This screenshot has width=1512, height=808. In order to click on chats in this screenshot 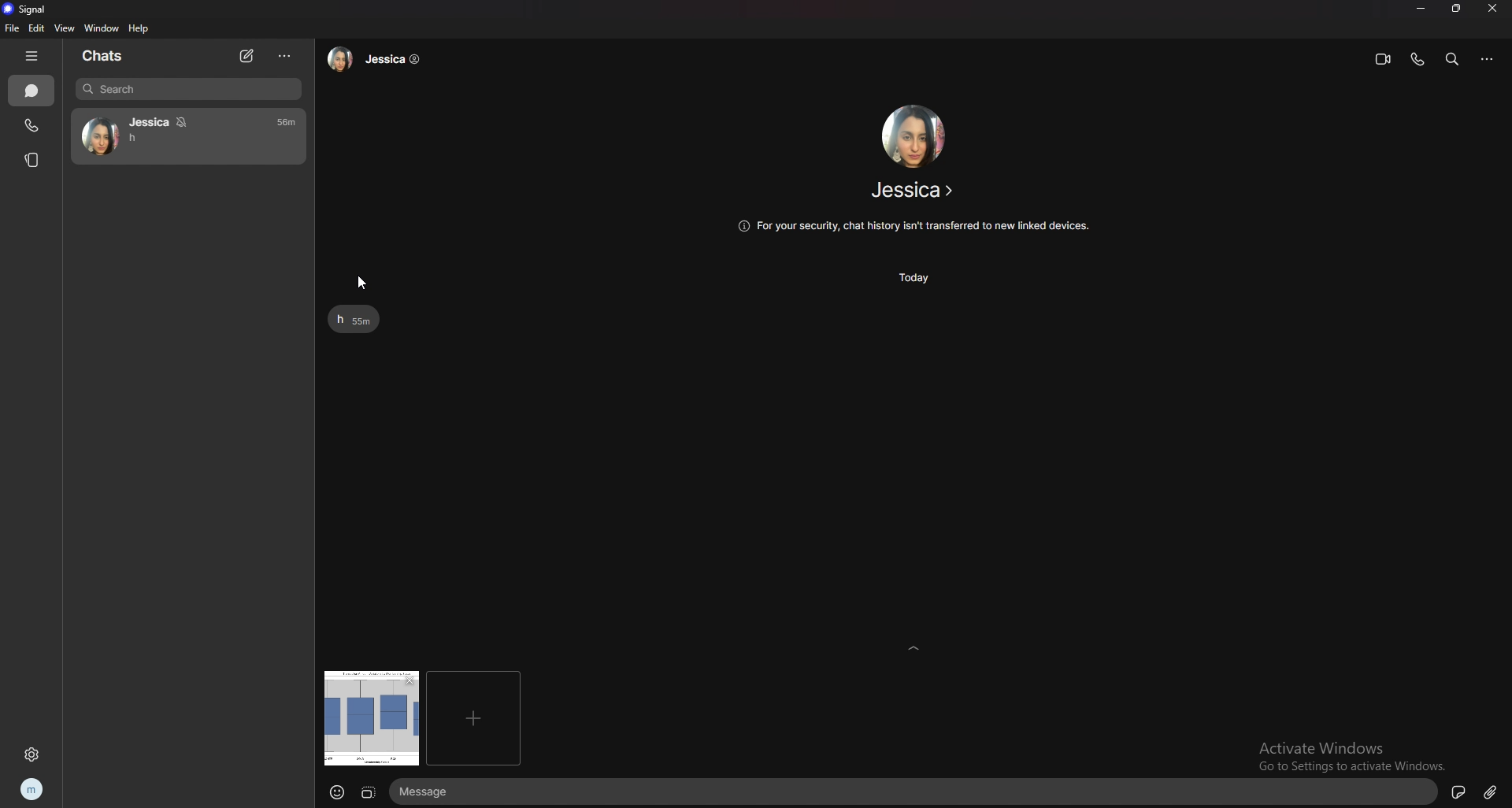, I will do `click(32, 91)`.